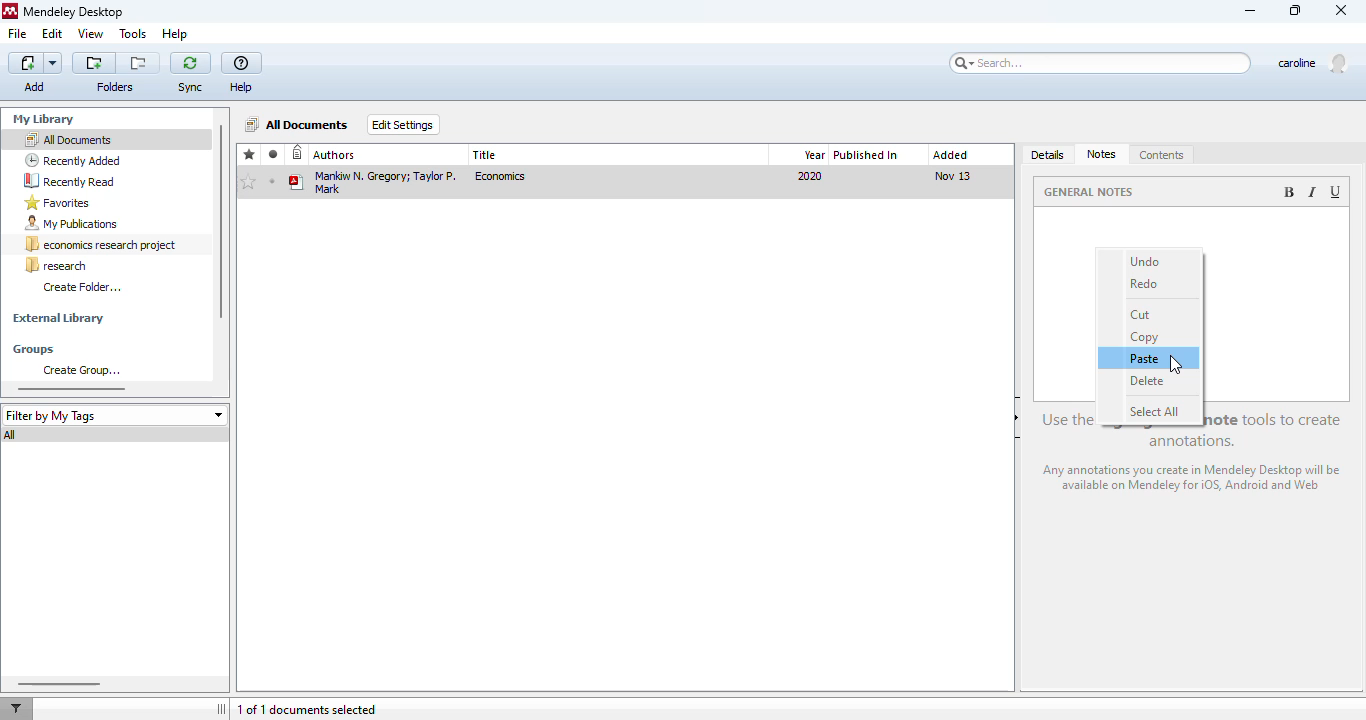 The image size is (1366, 720). Describe the element at coordinates (502, 176) in the screenshot. I see `economics` at that location.